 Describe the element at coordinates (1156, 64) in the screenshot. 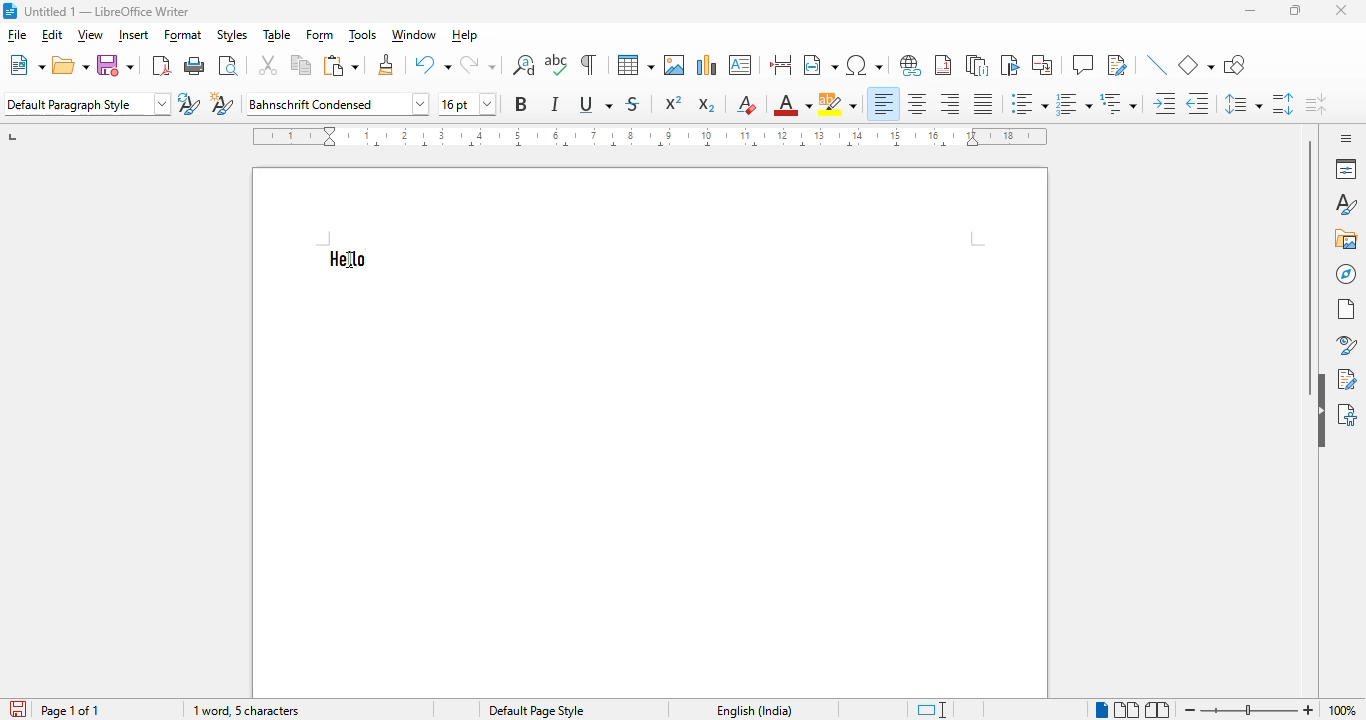

I see `insert line` at that location.